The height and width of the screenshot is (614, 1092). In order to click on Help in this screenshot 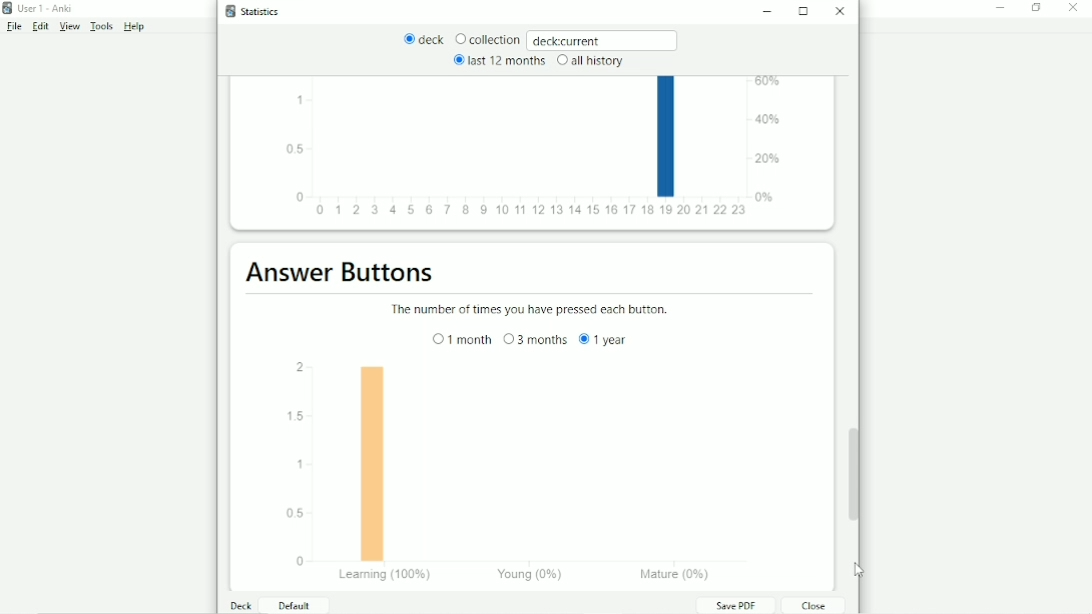, I will do `click(135, 27)`.